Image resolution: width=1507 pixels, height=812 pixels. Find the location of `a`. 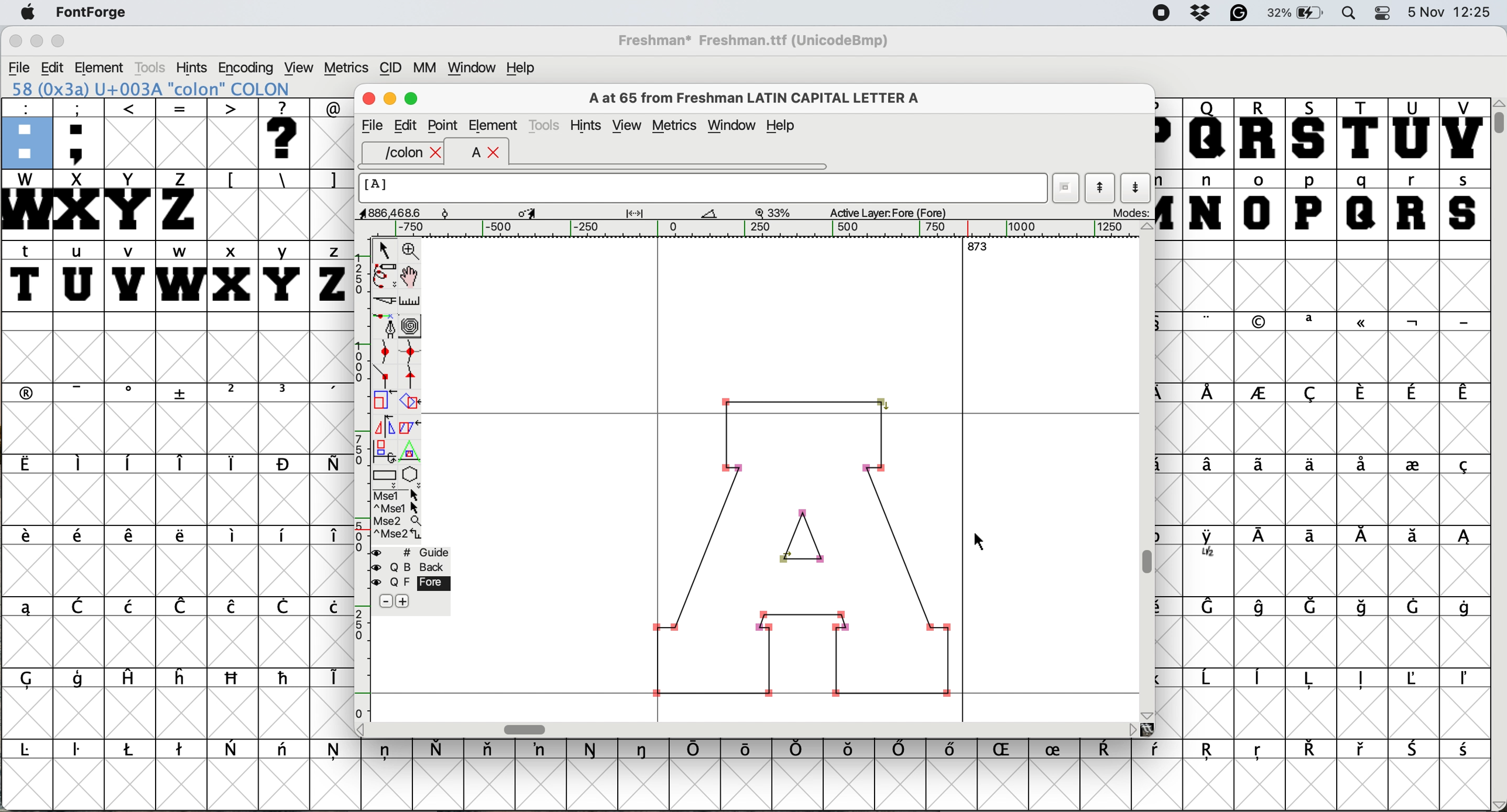

a is located at coordinates (469, 154).